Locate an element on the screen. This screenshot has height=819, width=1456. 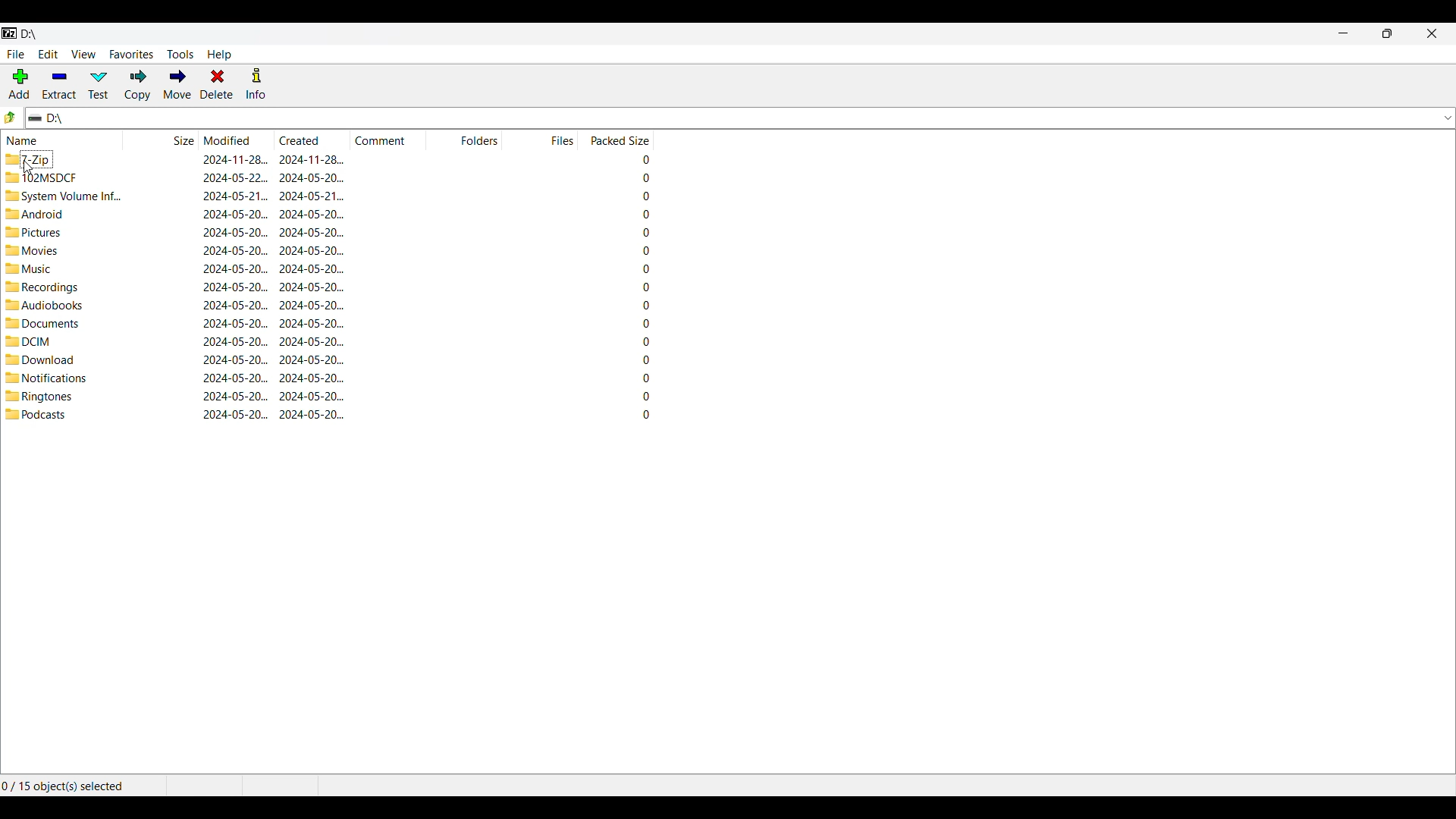
packed size is located at coordinates (642, 341).